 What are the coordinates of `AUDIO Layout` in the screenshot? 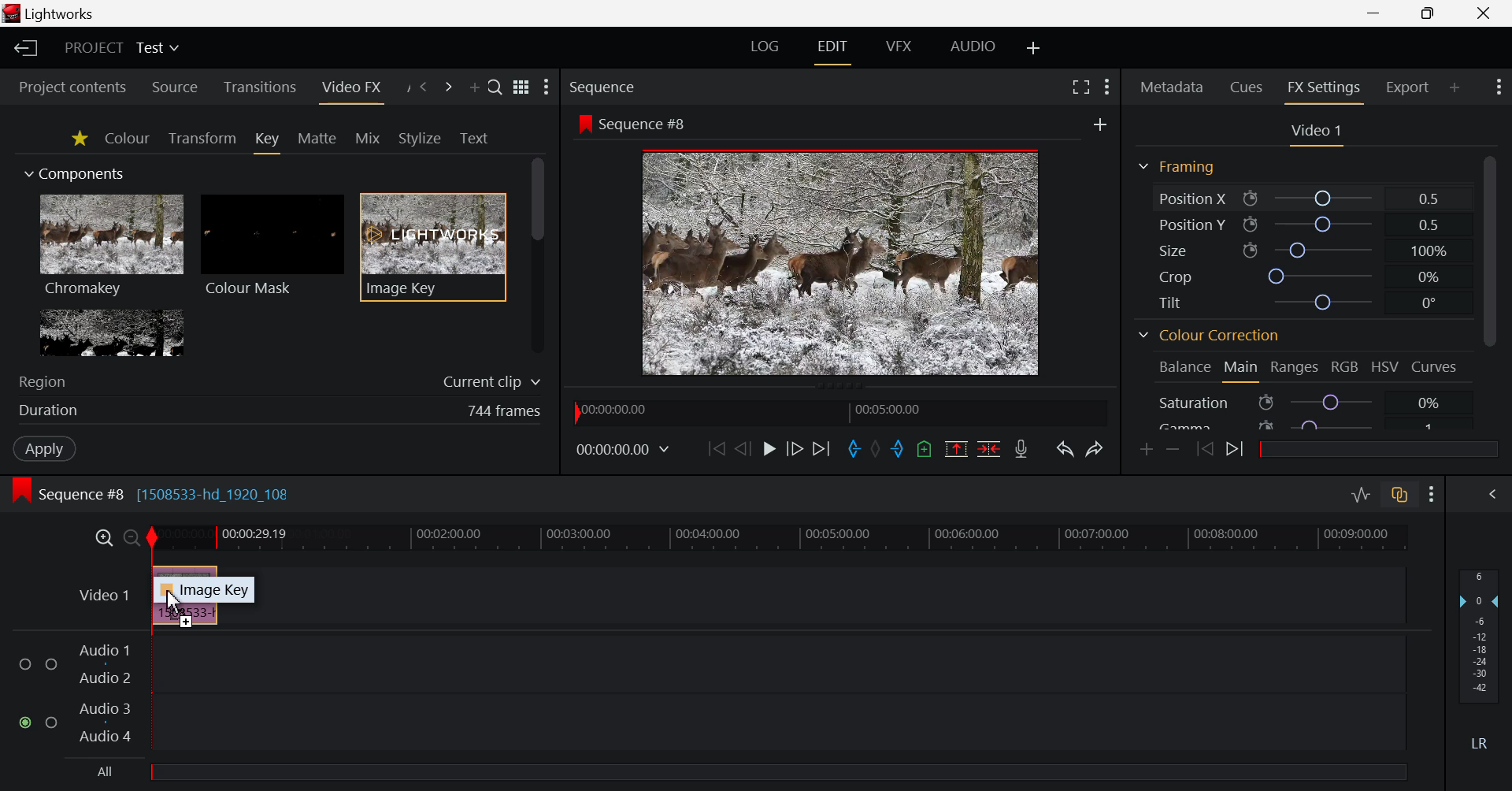 It's located at (973, 45).